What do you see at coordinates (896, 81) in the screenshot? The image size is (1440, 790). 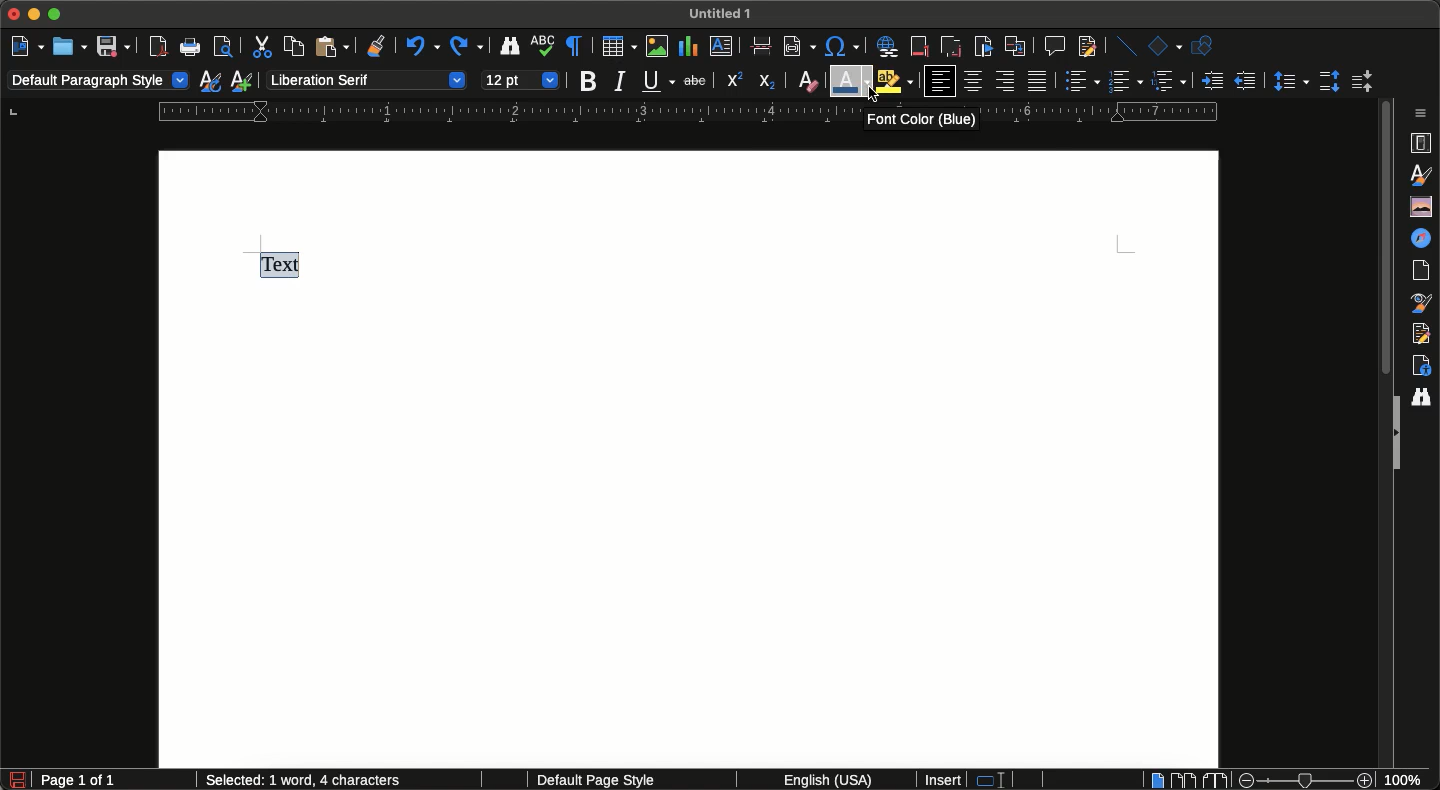 I see `Highlight color` at bounding box center [896, 81].